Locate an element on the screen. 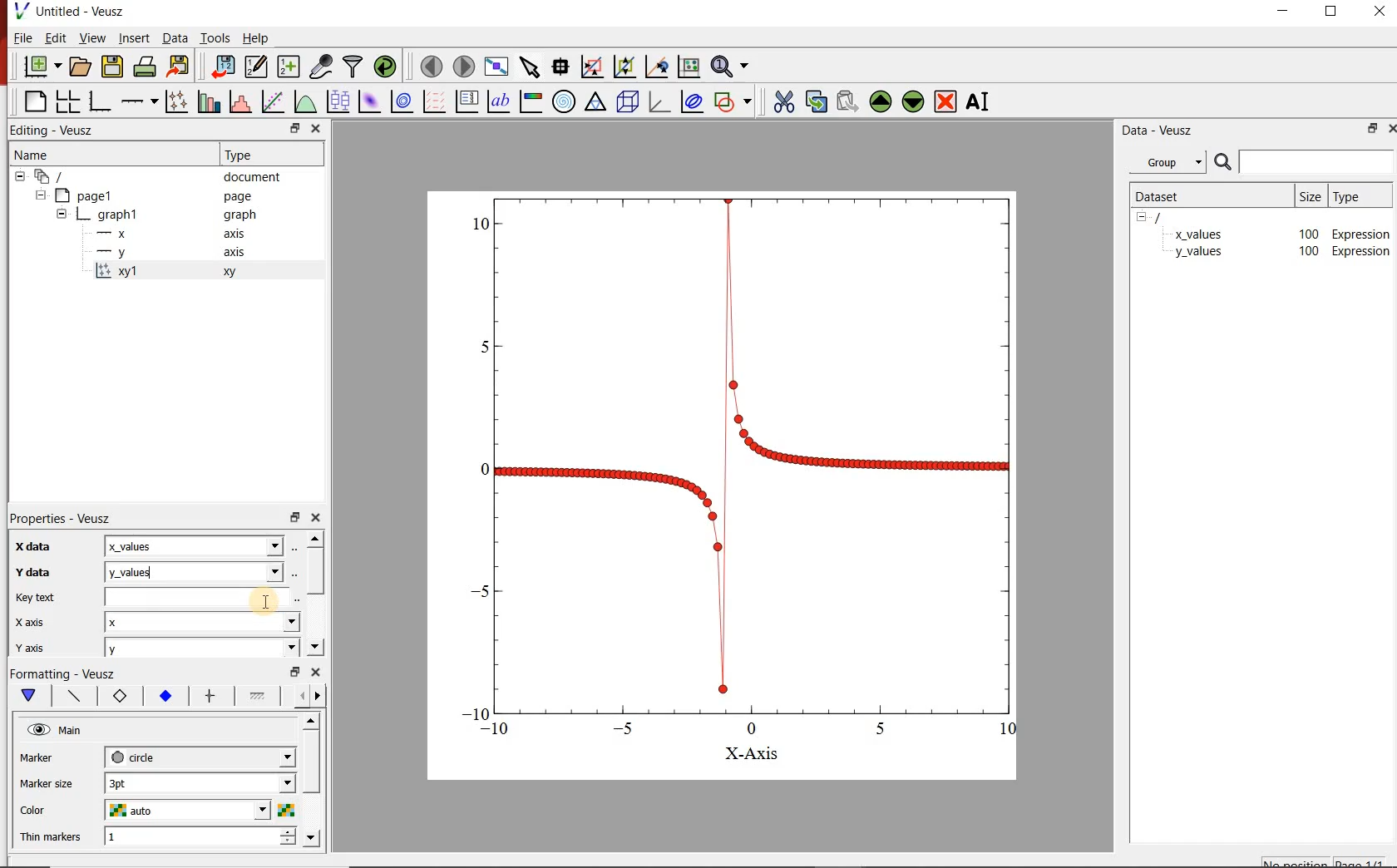  data is located at coordinates (175, 37).